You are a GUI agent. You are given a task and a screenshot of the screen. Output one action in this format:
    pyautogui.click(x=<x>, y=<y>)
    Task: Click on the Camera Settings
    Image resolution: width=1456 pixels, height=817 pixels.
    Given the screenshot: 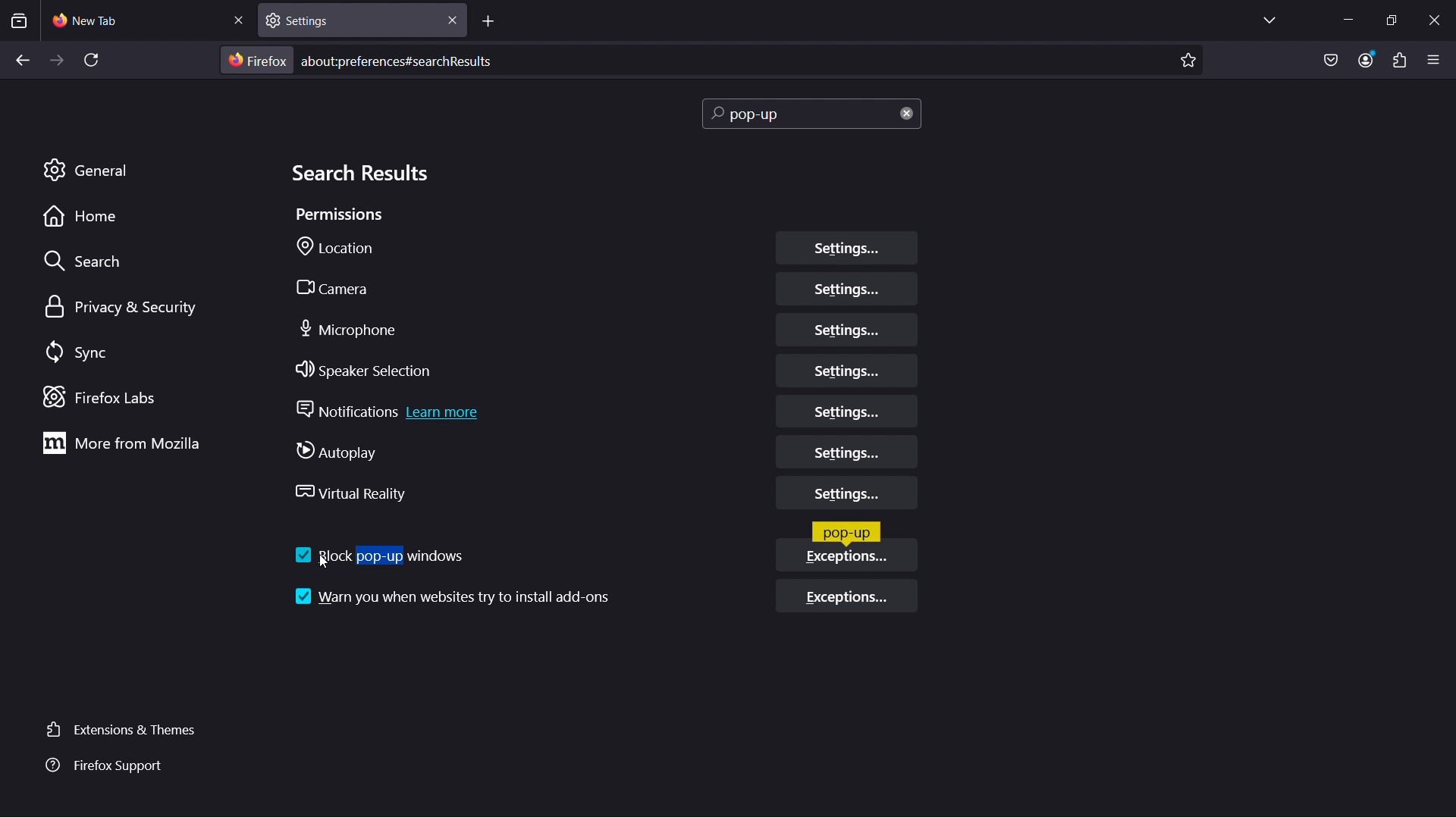 What is the action you would take?
    pyautogui.click(x=847, y=291)
    